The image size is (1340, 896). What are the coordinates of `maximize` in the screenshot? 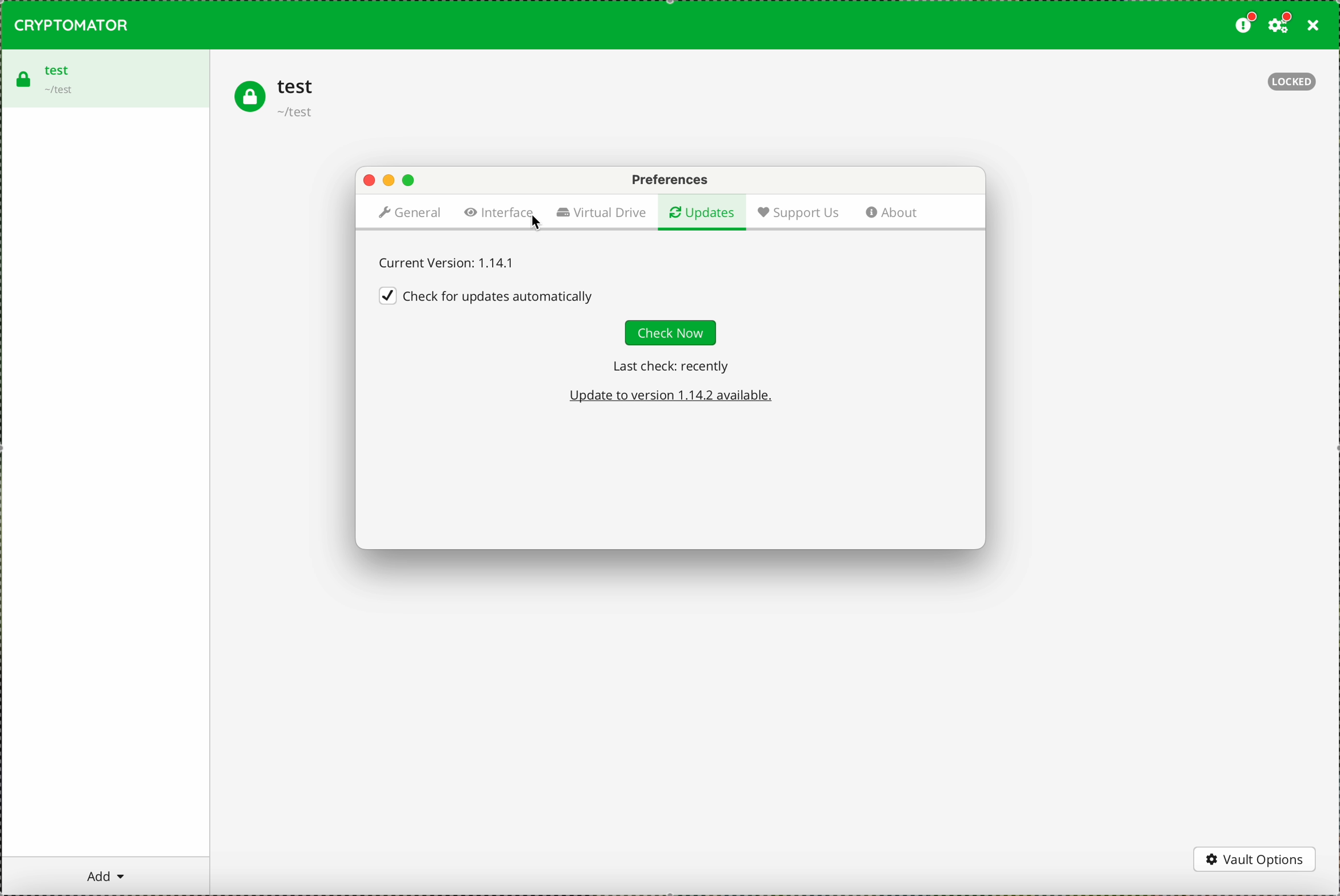 It's located at (410, 182).